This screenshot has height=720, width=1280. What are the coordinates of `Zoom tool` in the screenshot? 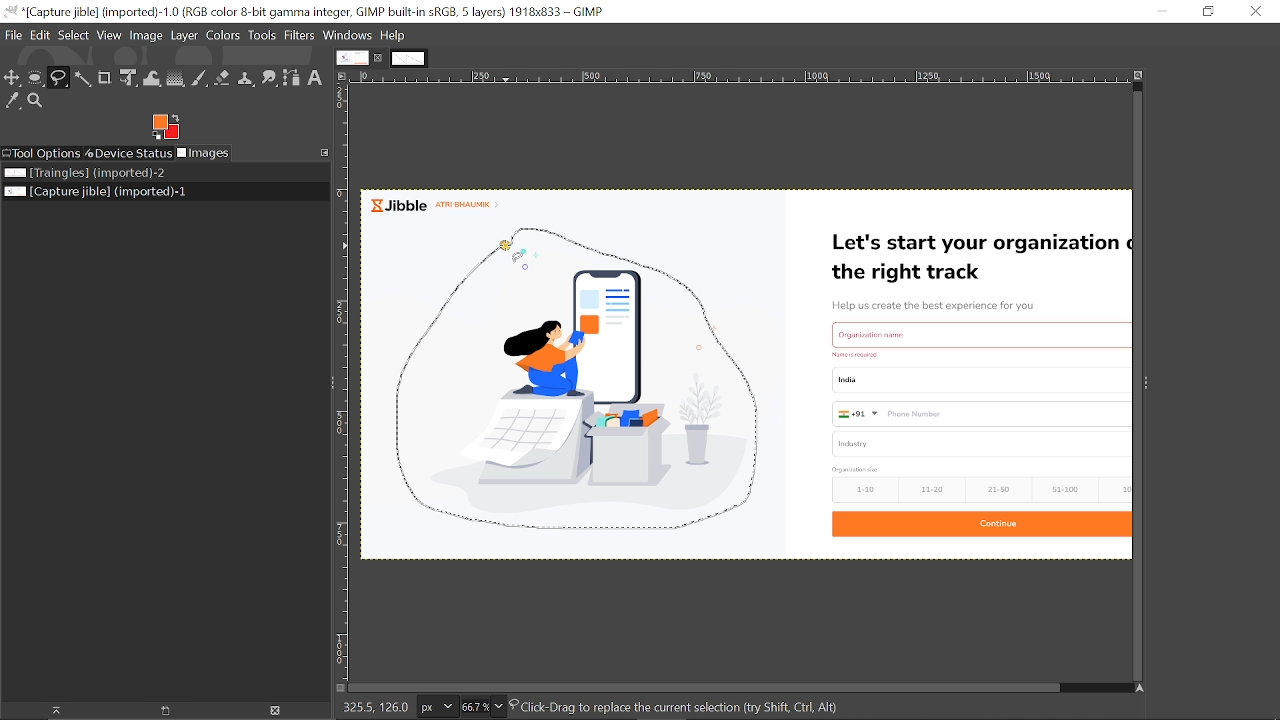 It's located at (35, 100).